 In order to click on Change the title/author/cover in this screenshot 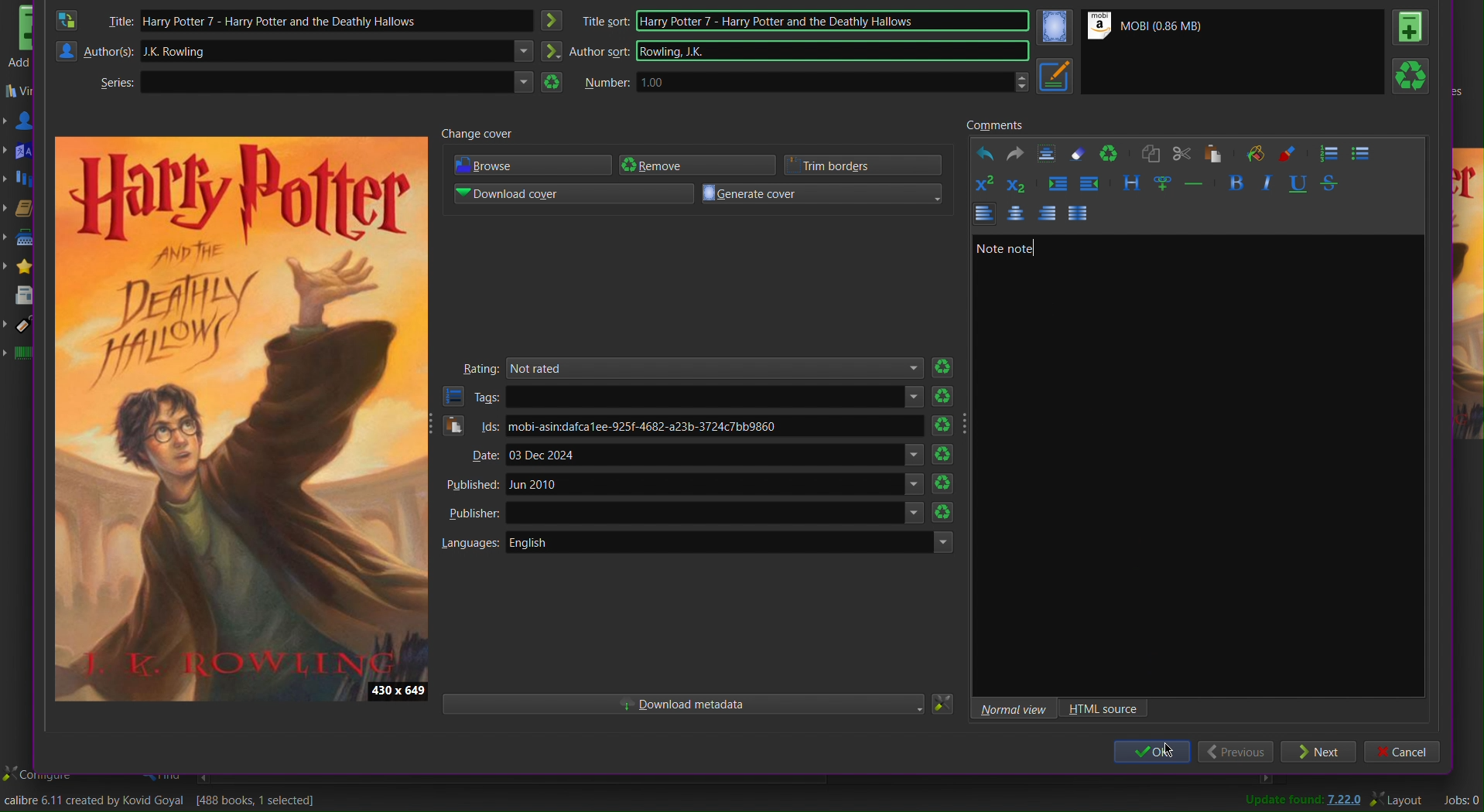, I will do `click(168, 800)`.